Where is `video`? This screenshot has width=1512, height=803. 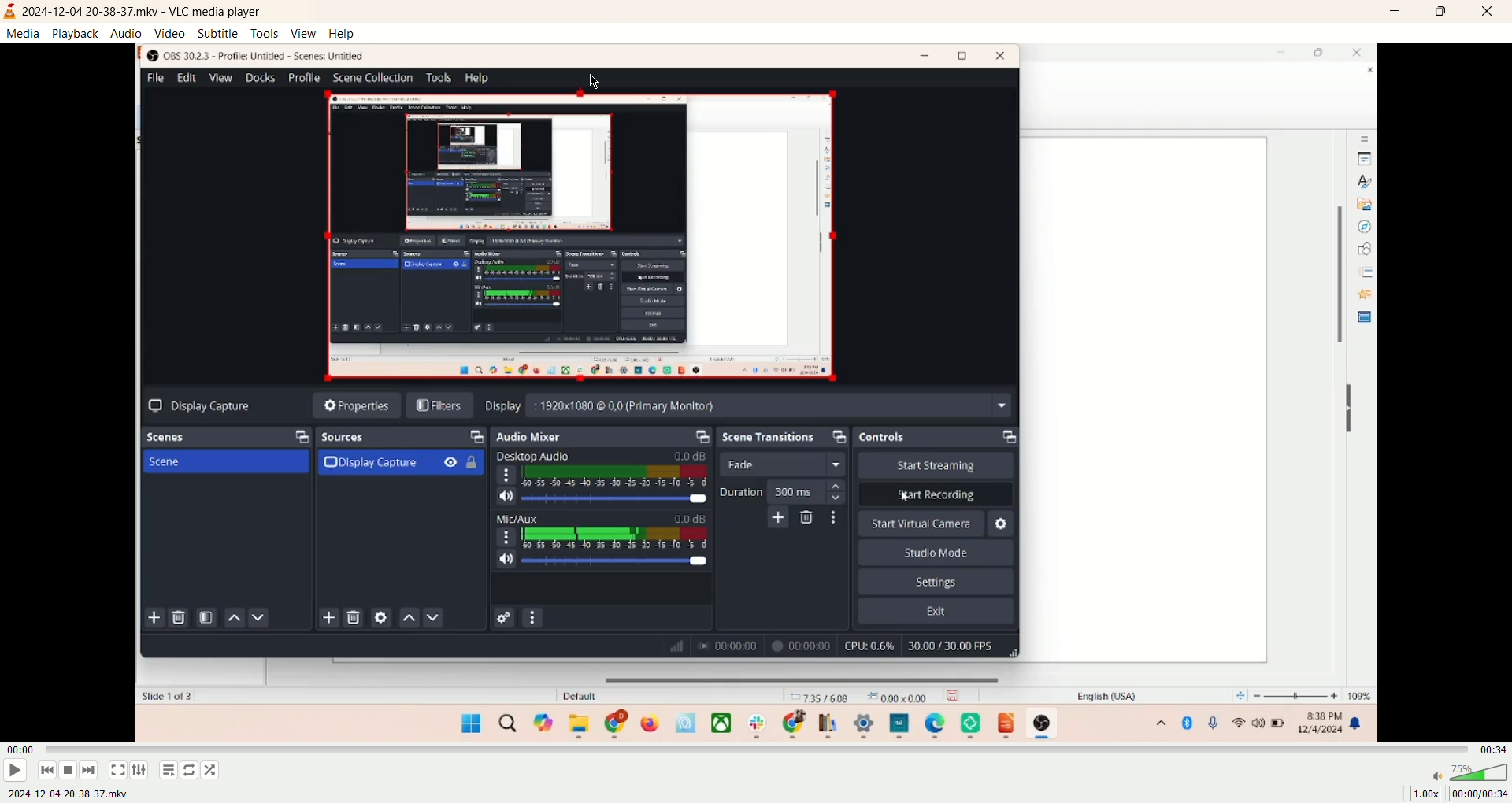
video is located at coordinates (169, 34).